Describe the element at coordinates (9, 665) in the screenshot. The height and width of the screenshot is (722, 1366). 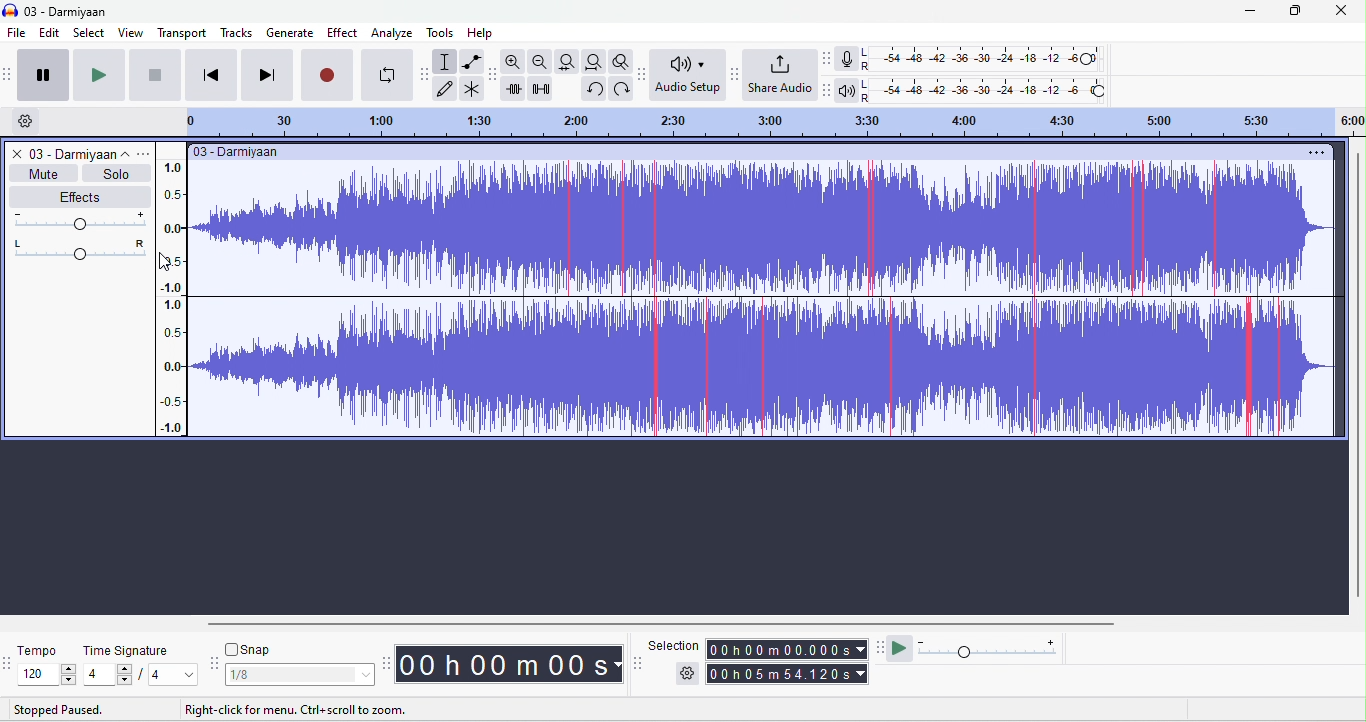
I see `tempo options` at that location.